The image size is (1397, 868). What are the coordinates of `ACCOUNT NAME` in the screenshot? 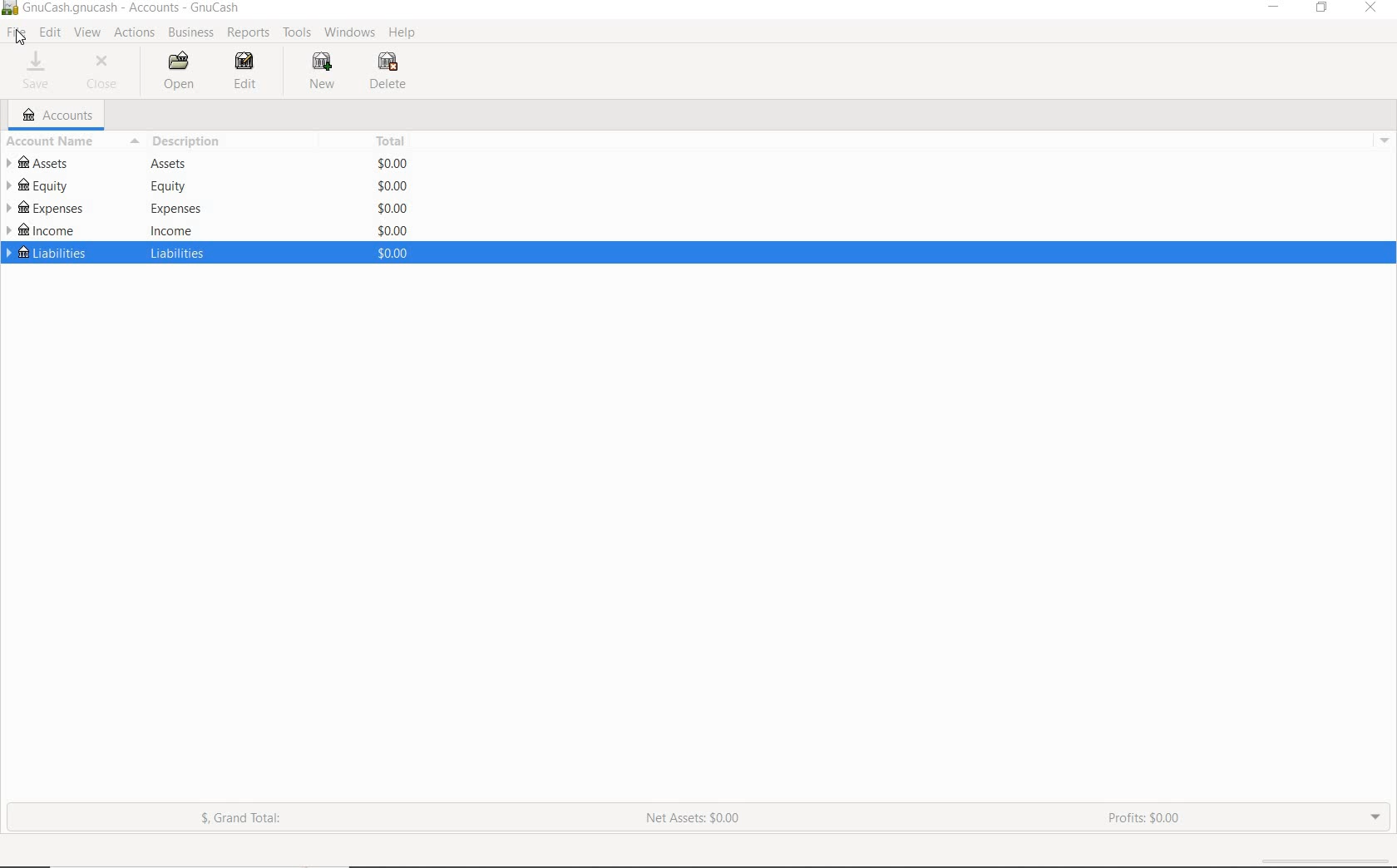 It's located at (49, 143).